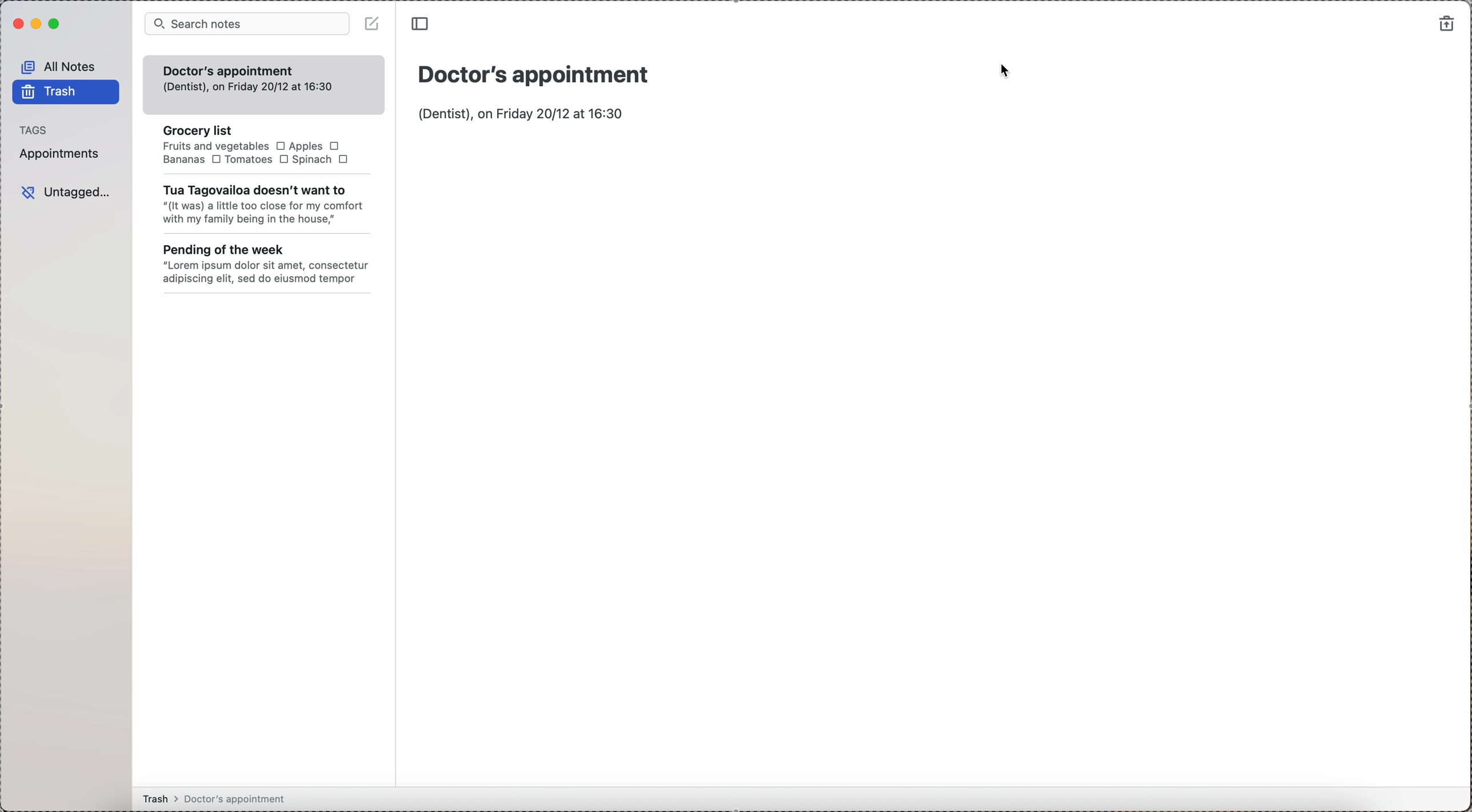 Image resolution: width=1472 pixels, height=812 pixels. I want to click on Title: Doctor's appointment, so click(535, 75).